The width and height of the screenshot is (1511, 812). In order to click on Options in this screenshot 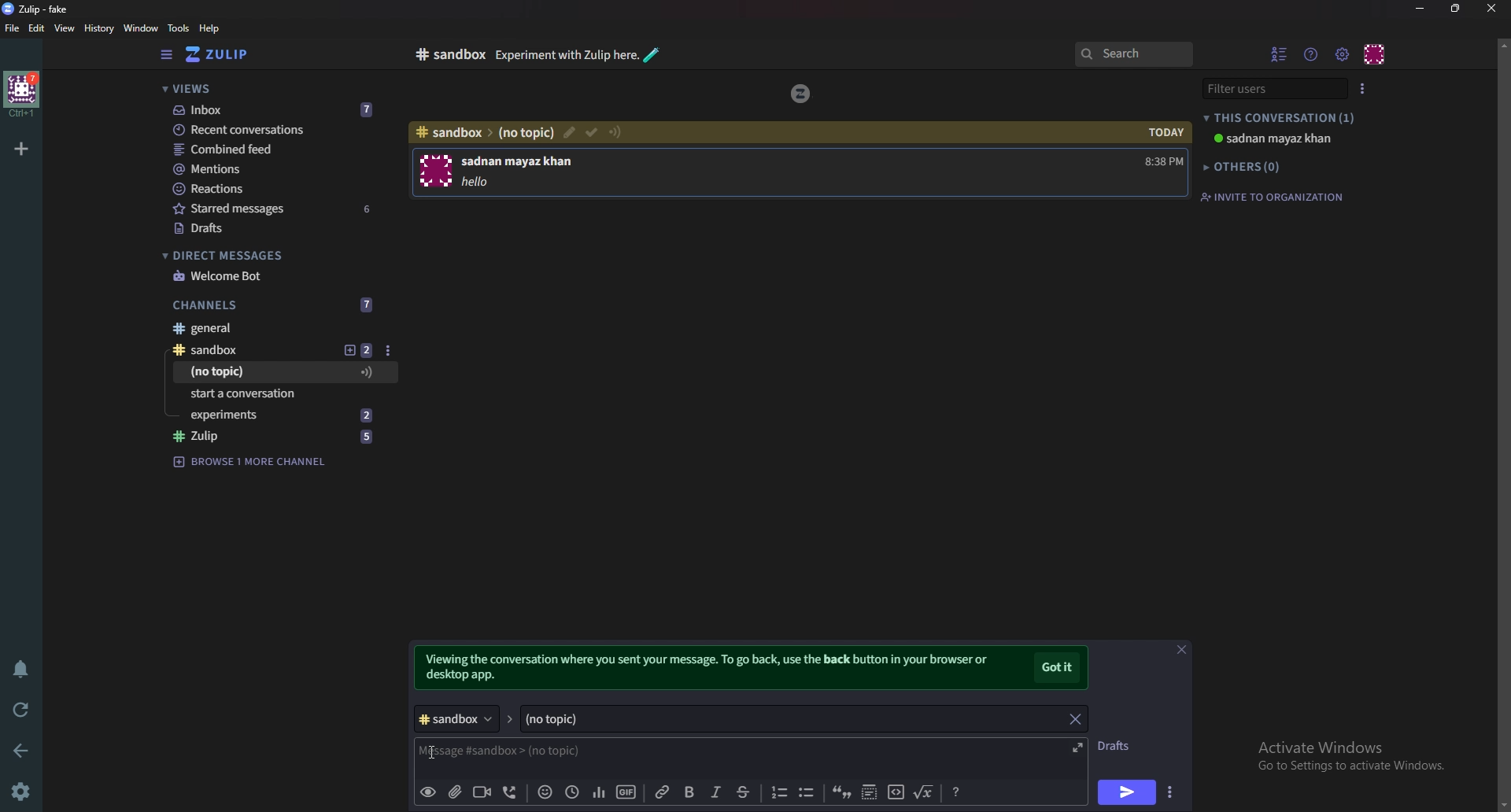, I will do `click(390, 349)`.